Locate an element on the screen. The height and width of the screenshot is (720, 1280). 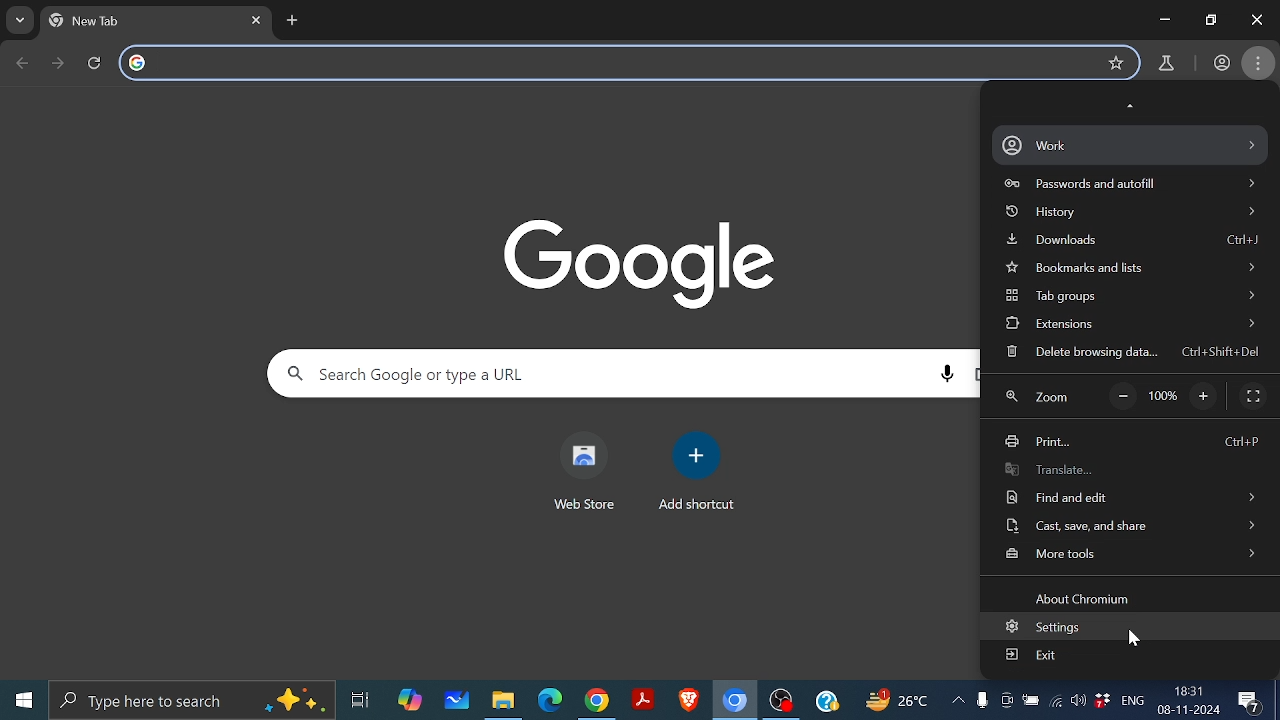
Passwords and autofill is located at coordinates (1134, 185).